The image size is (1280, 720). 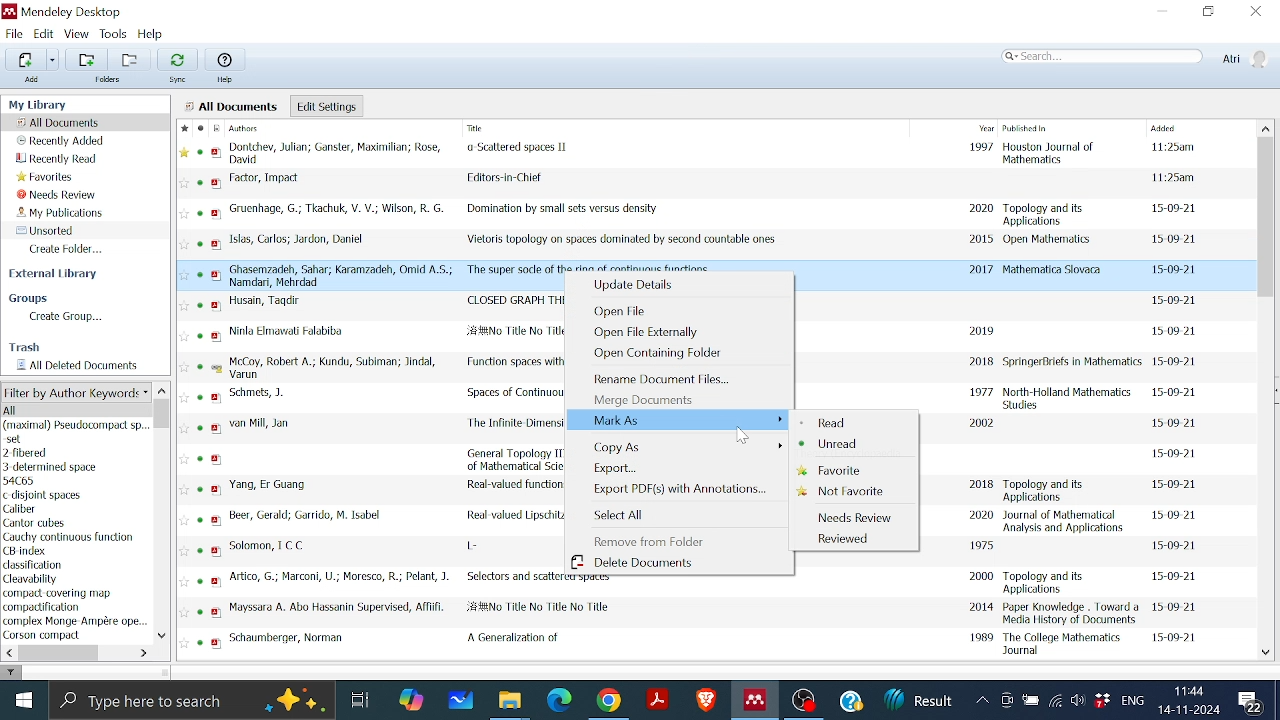 I want to click on Update details, so click(x=633, y=286).